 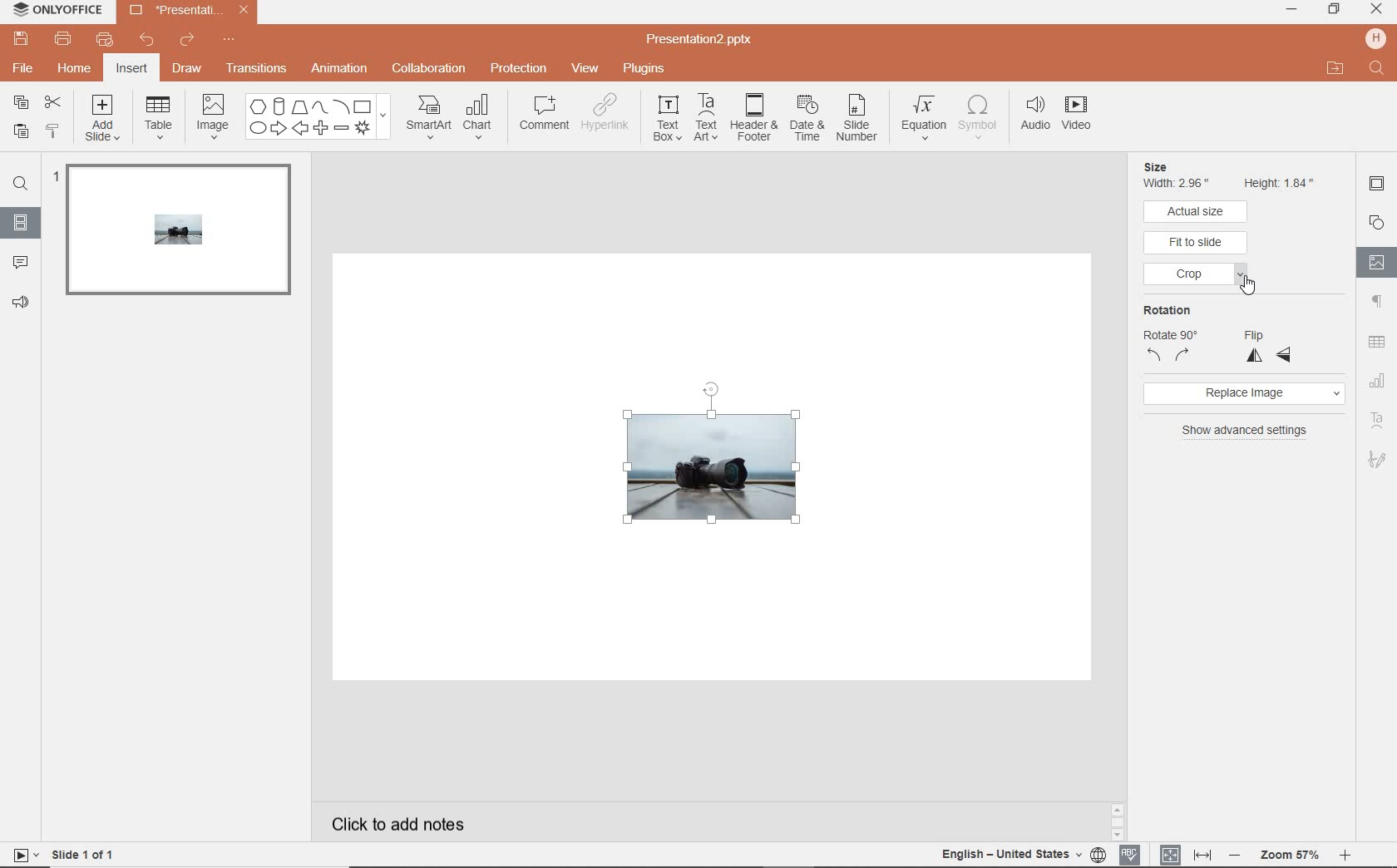 What do you see at coordinates (586, 67) in the screenshot?
I see `view` at bounding box center [586, 67].